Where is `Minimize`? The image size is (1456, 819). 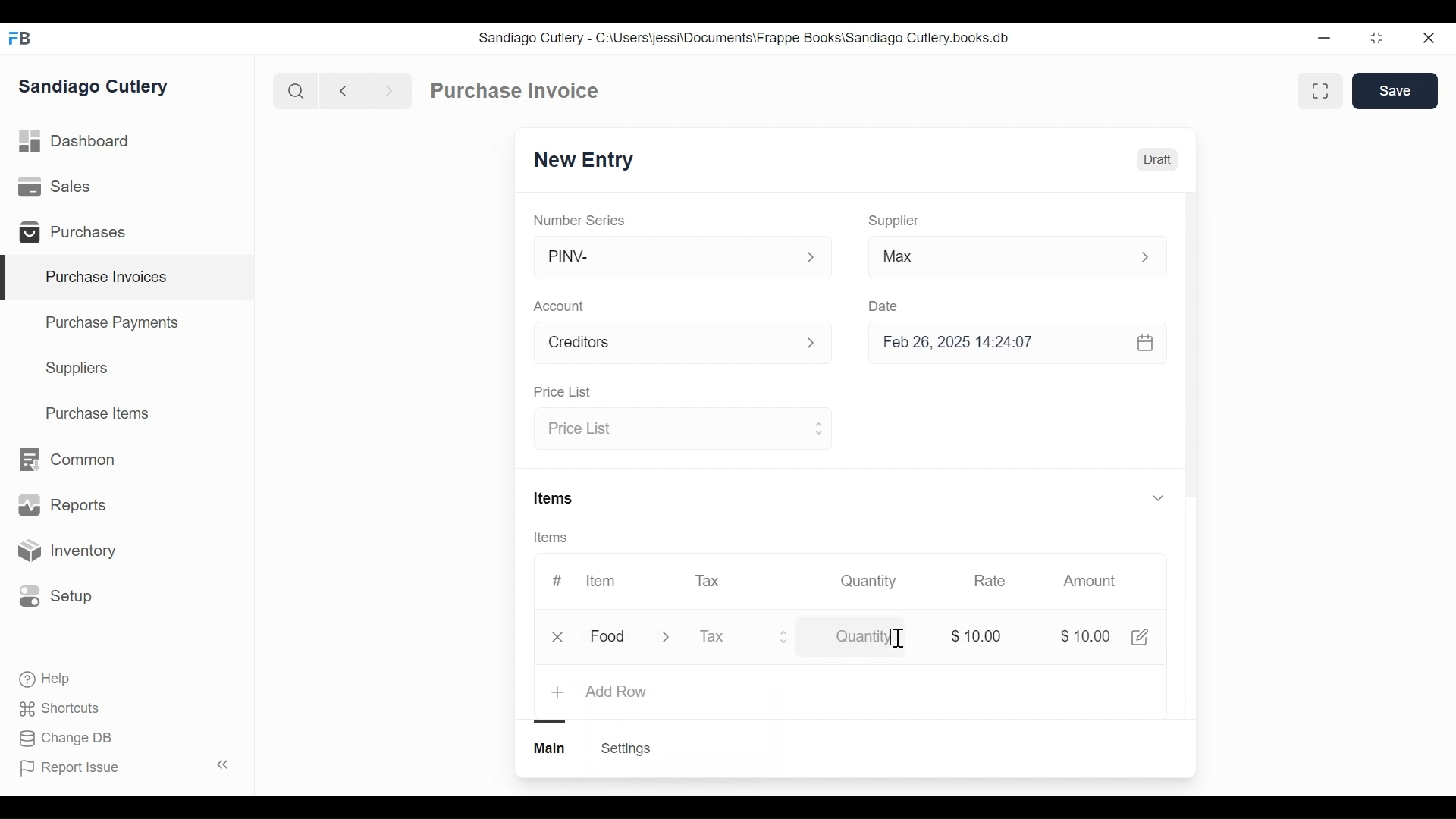 Minimize is located at coordinates (1321, 39).